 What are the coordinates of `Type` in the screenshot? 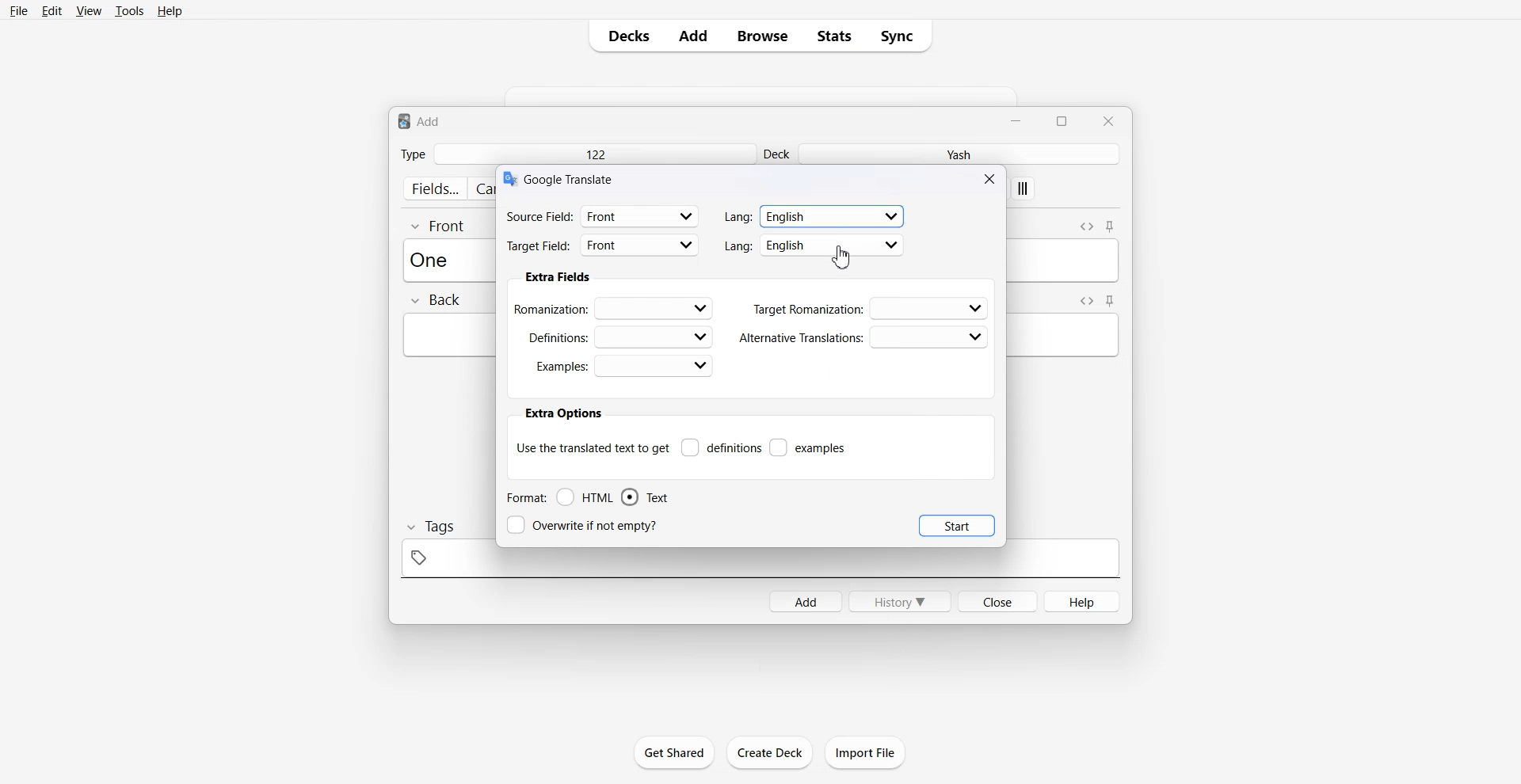 It's located at (413, 154).